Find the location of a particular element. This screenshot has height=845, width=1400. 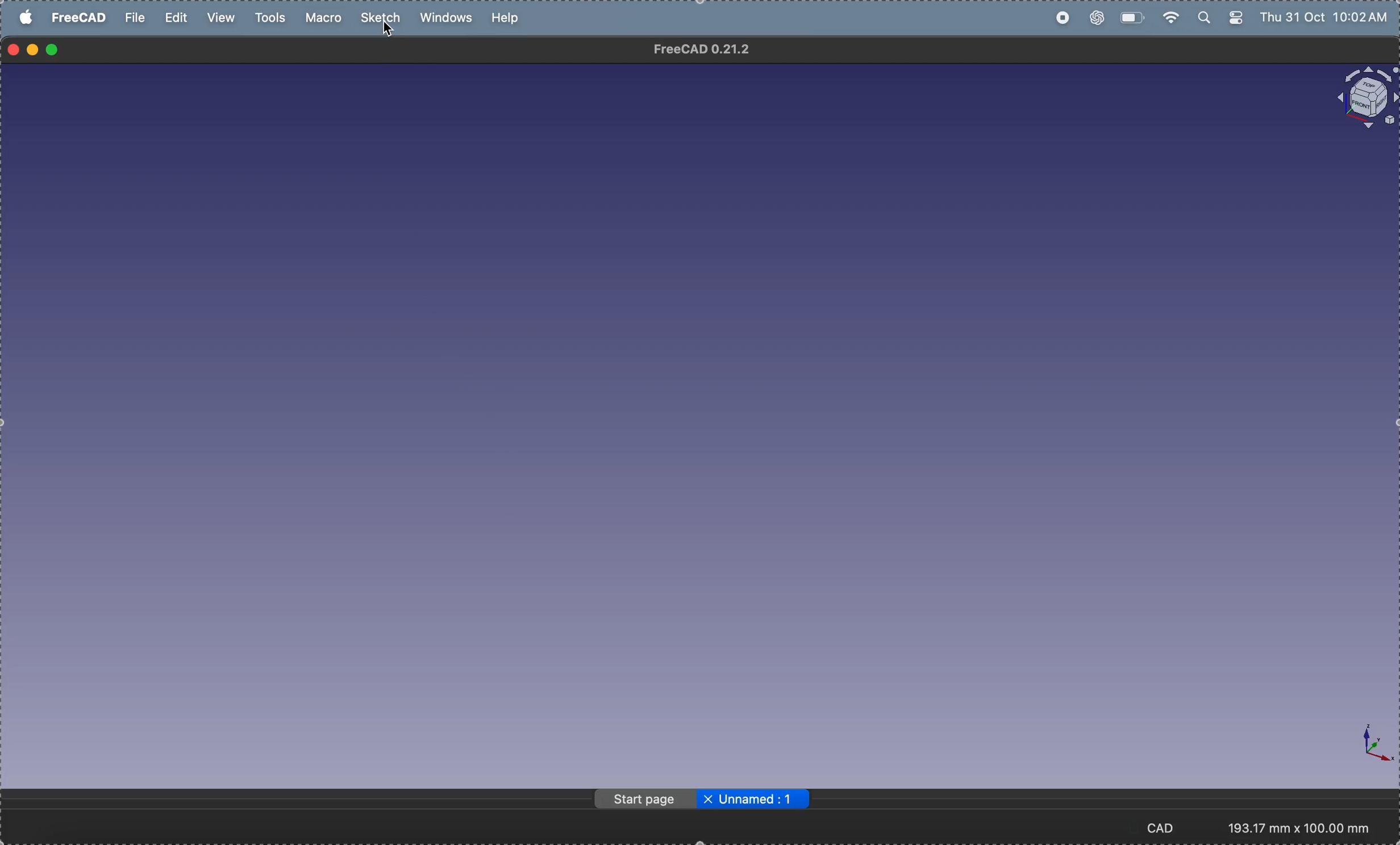

windows is located at coordinates (450, 19).